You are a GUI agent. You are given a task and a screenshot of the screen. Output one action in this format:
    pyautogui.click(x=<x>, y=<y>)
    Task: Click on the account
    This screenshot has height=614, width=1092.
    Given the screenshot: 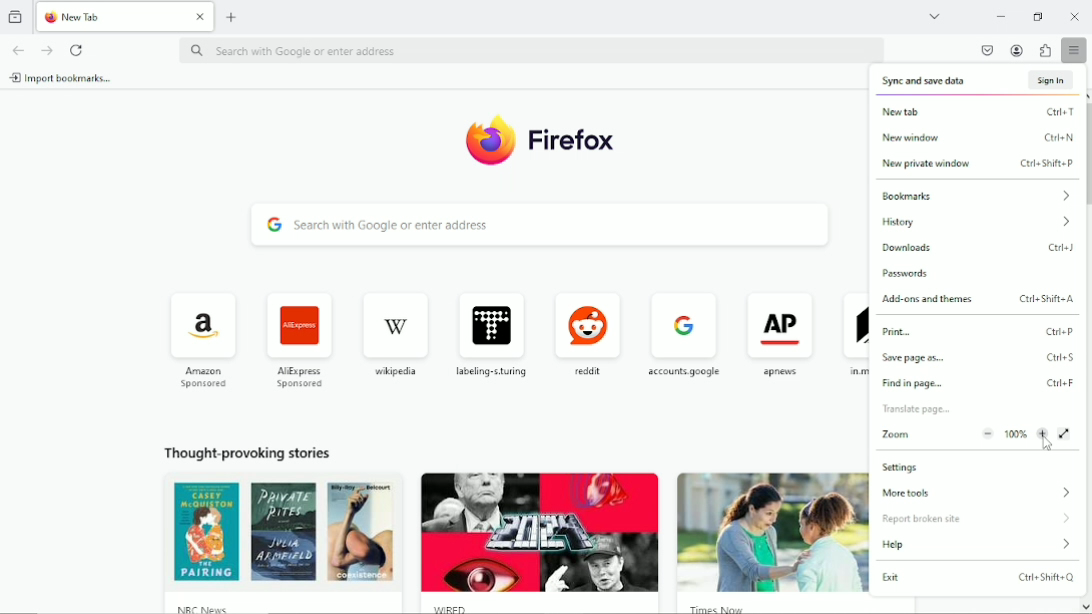 What is the action you would take?
    pyautogui.click(x=1017, y=50)
    